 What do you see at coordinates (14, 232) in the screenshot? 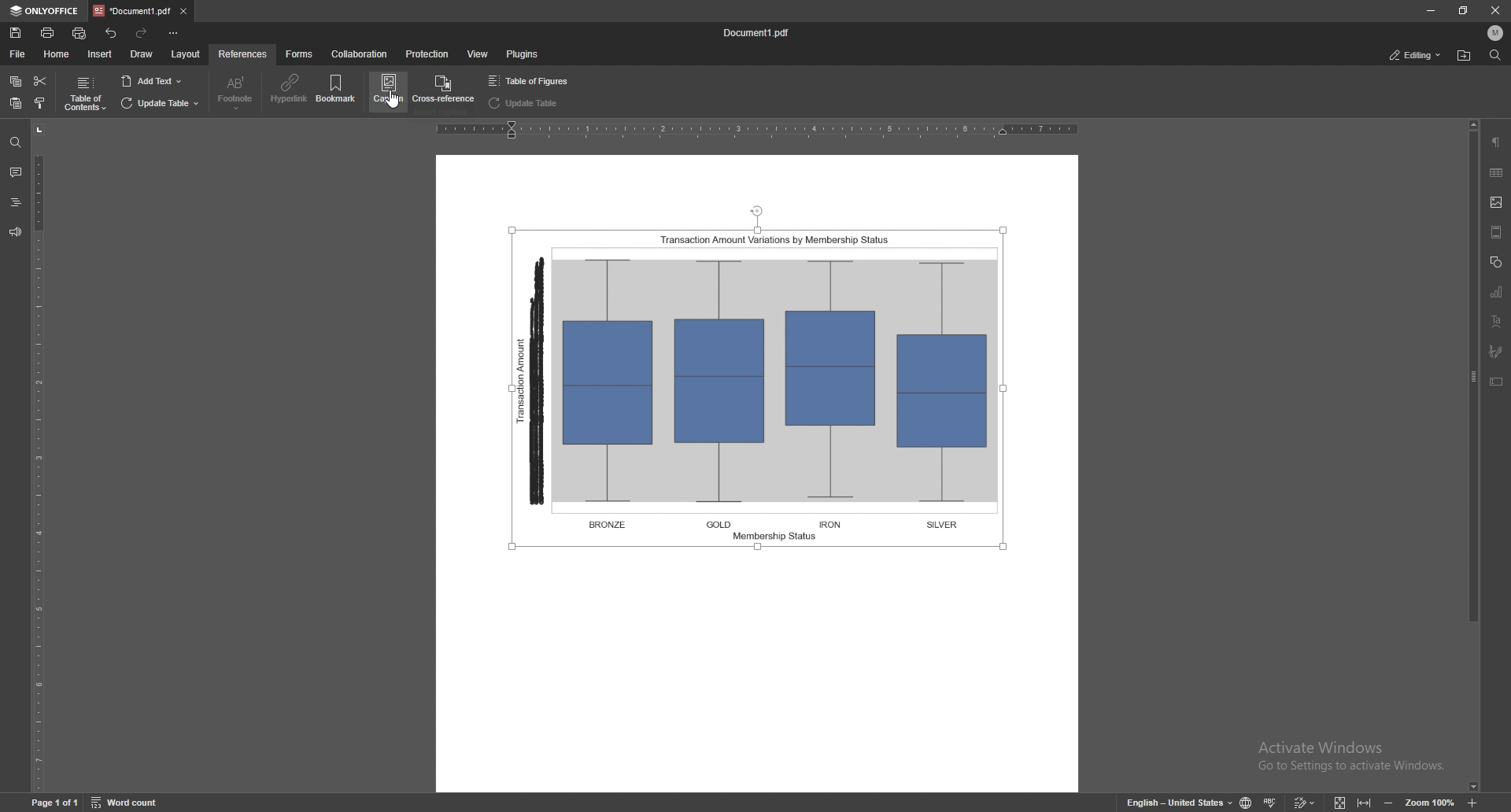
I see `feedback` at bounding box center [14, 232].